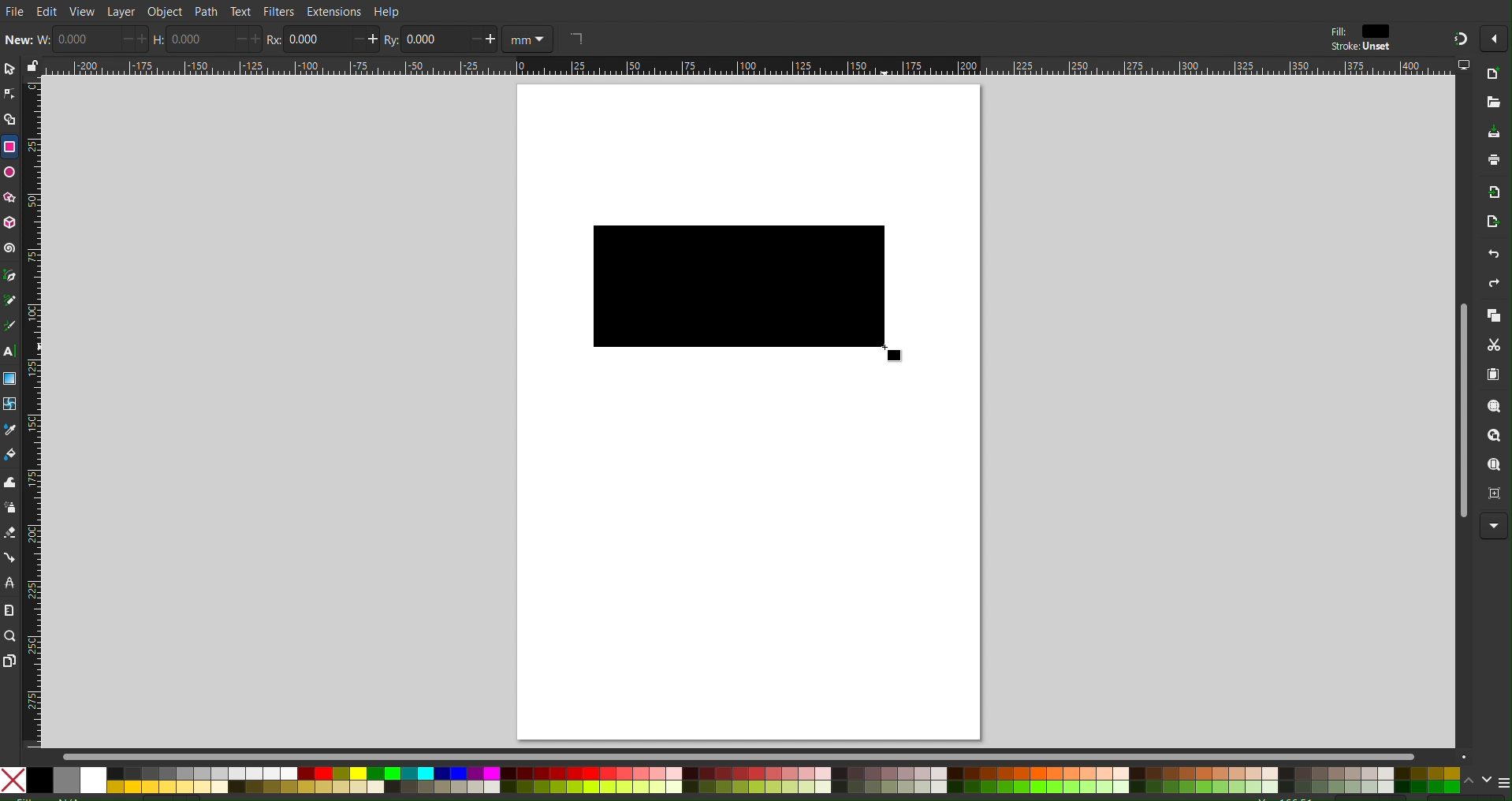 The height and width of the screenshot is (801, 1512). What do you see at coordinates (9, 583) in the screenshot?
I see `LPE Tool` at bounding box center [9, 583].